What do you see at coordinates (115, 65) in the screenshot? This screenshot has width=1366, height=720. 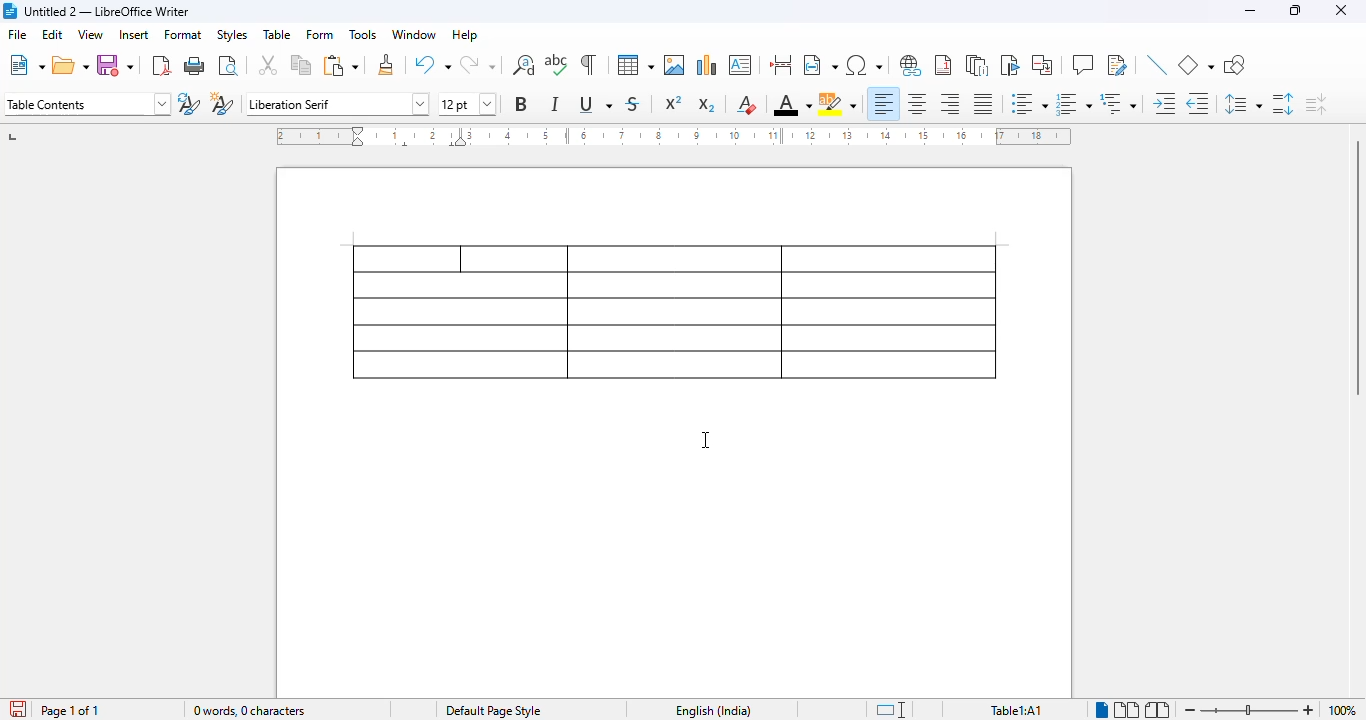 I see `save` at bounding box center [115, 65].